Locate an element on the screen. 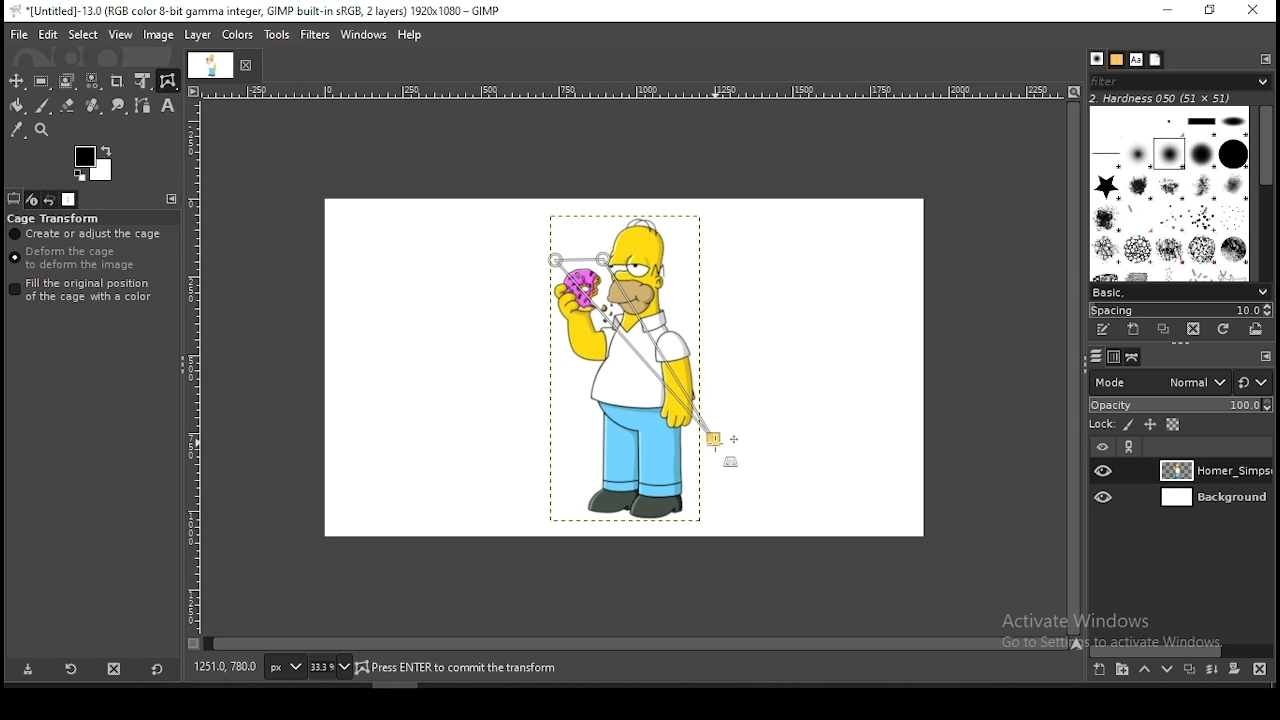 The image size is (1280, 720). *[untitled]-13.0 (rgb color 8-bit gamma integer, gimp built-in sRGB, 2 layers) 1920x1080 - gimp is located at coordinates (261, 11).